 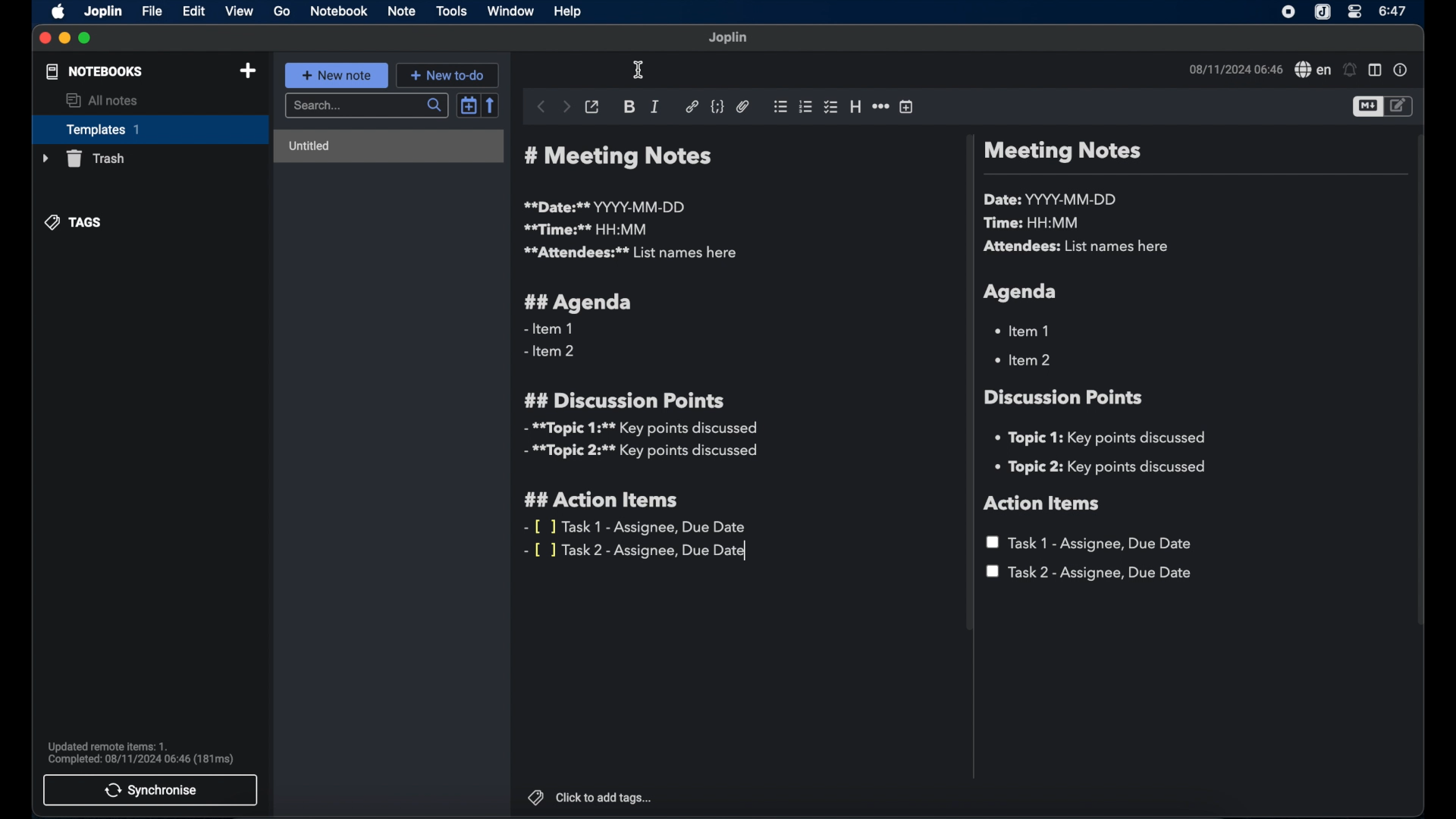 What do you see at coordinates (401, 11) in the screenshot?
I see `note` at bounding box center [401, 11].